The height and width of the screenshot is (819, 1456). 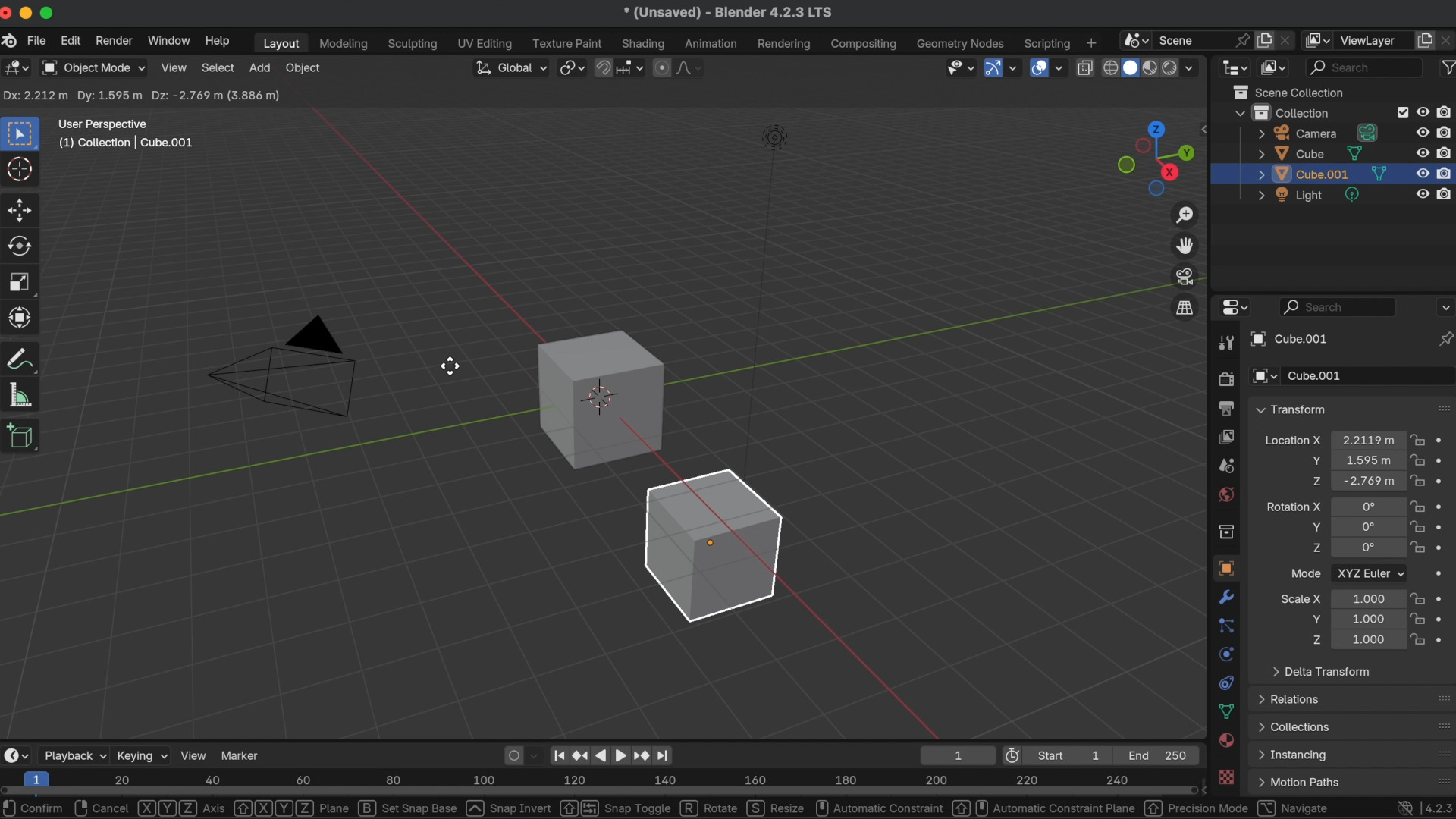 I want to click on file, so click(x=36, y=41).